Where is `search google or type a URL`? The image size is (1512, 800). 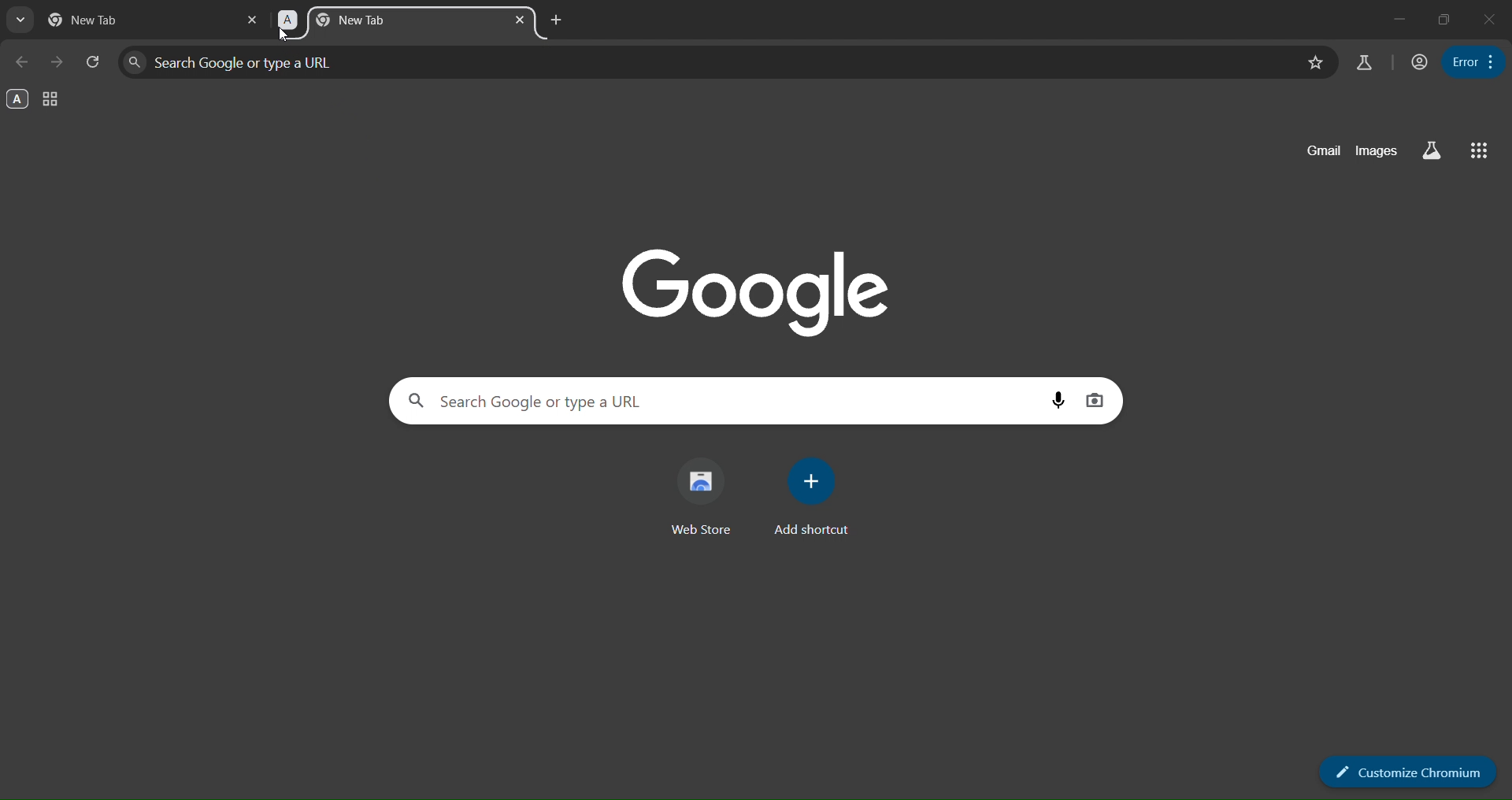
search google or type a URL is located at coordinates (721, 400).